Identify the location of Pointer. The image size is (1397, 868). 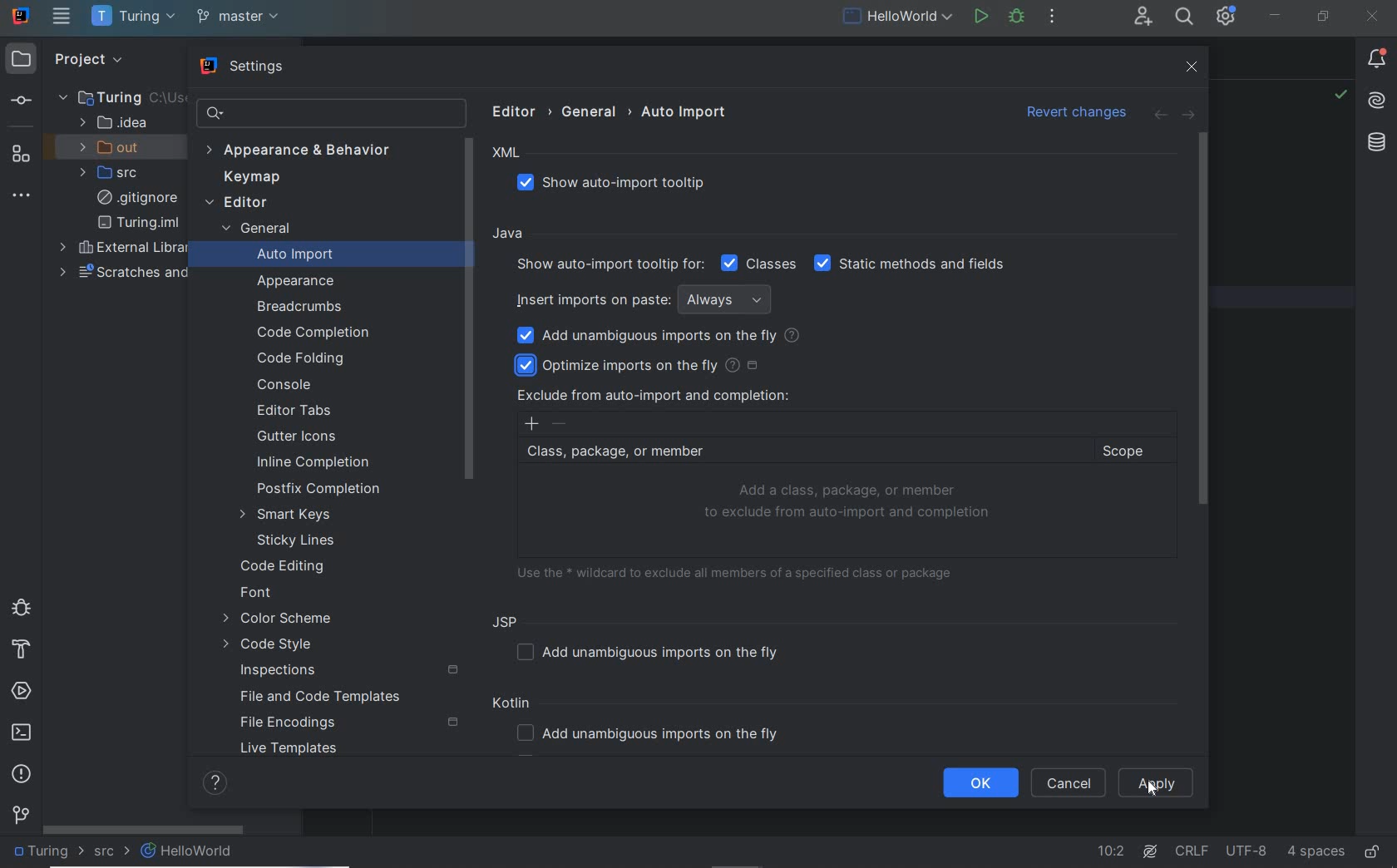
(1161, 794).